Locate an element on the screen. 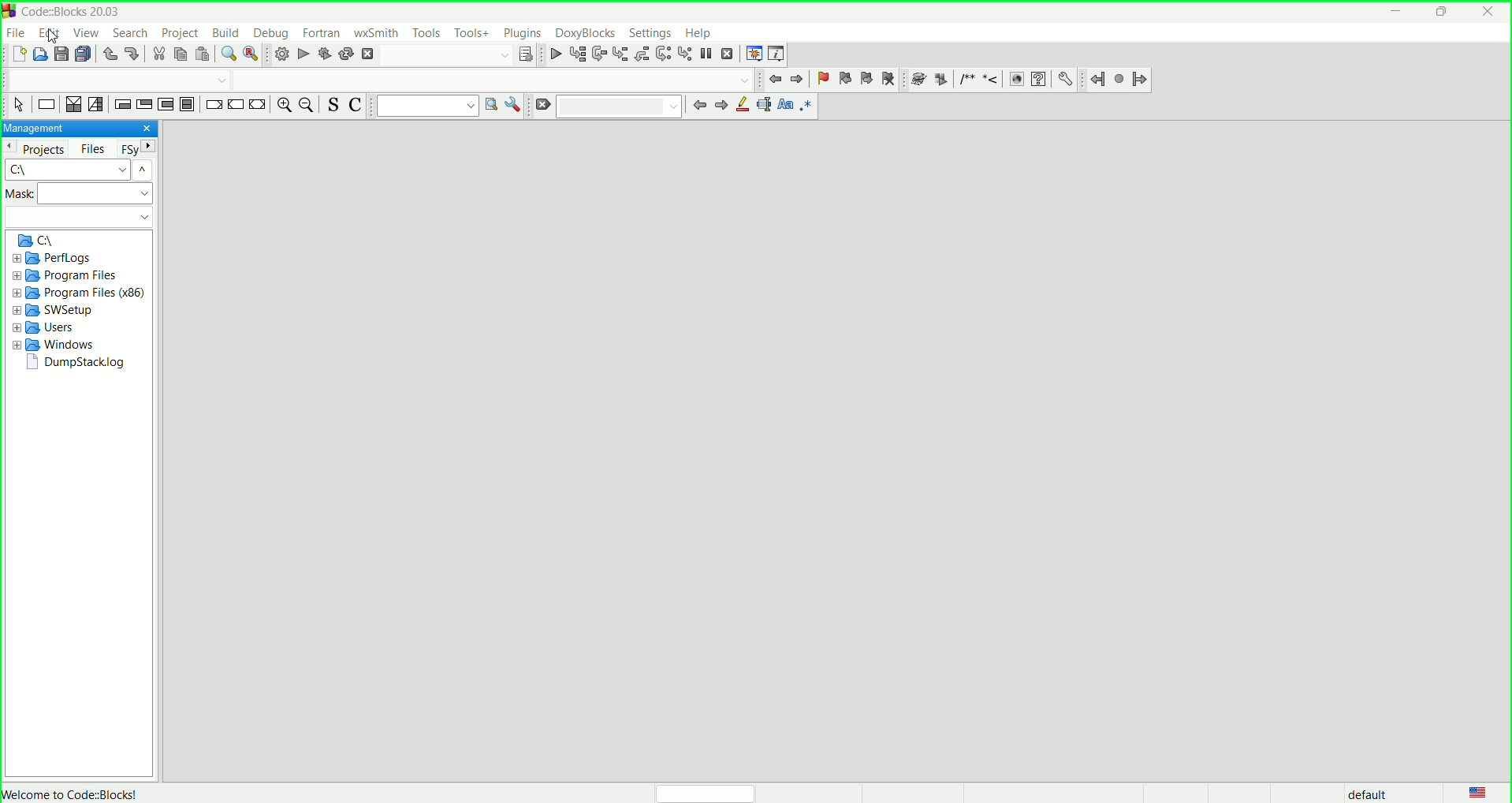 This screenshot has height=803, width=1512. copy is located at coordinates (181, 54).